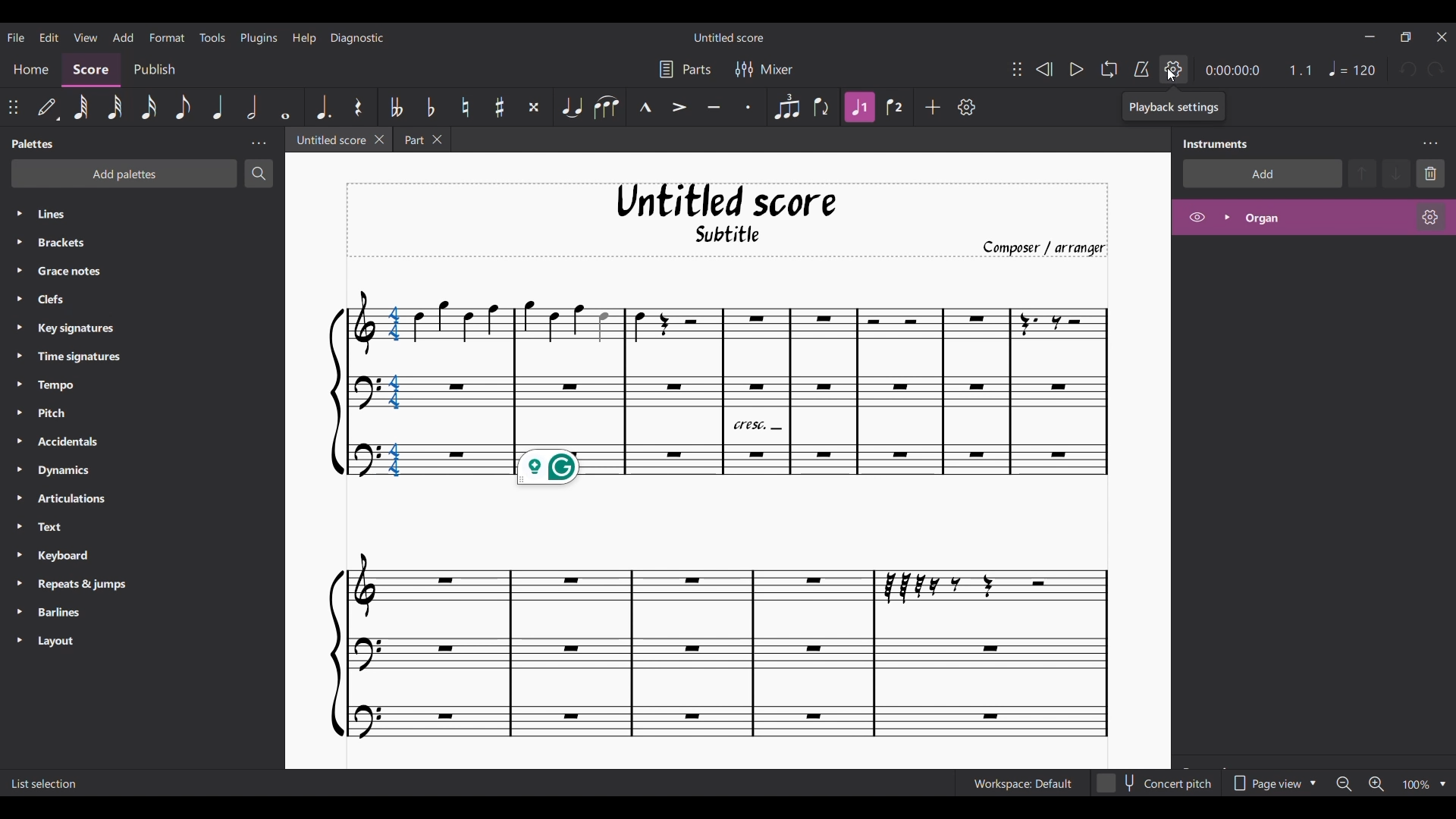 This screenshot has width=1456, height=819. What do you see at coordinates (933, 107) in the screenshot?
I see `Add` at bounding box center [933, 107].